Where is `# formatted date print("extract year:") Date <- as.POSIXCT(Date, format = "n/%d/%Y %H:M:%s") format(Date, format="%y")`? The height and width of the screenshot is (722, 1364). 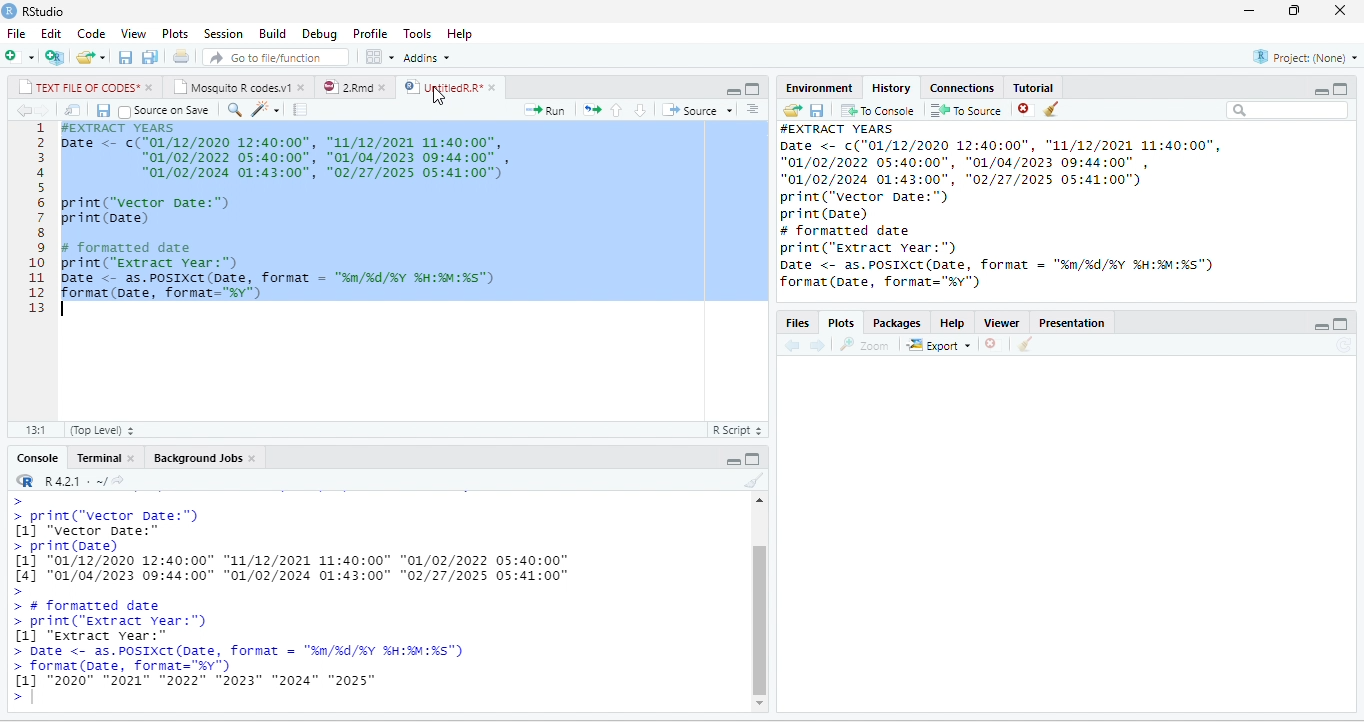
# formatted date print("extract year:") Date <- as.POSIXCT(Date, format = "n/%d/%Y %H:M:%s") format(Date, format="%y") is located at coordinates (279, 270).